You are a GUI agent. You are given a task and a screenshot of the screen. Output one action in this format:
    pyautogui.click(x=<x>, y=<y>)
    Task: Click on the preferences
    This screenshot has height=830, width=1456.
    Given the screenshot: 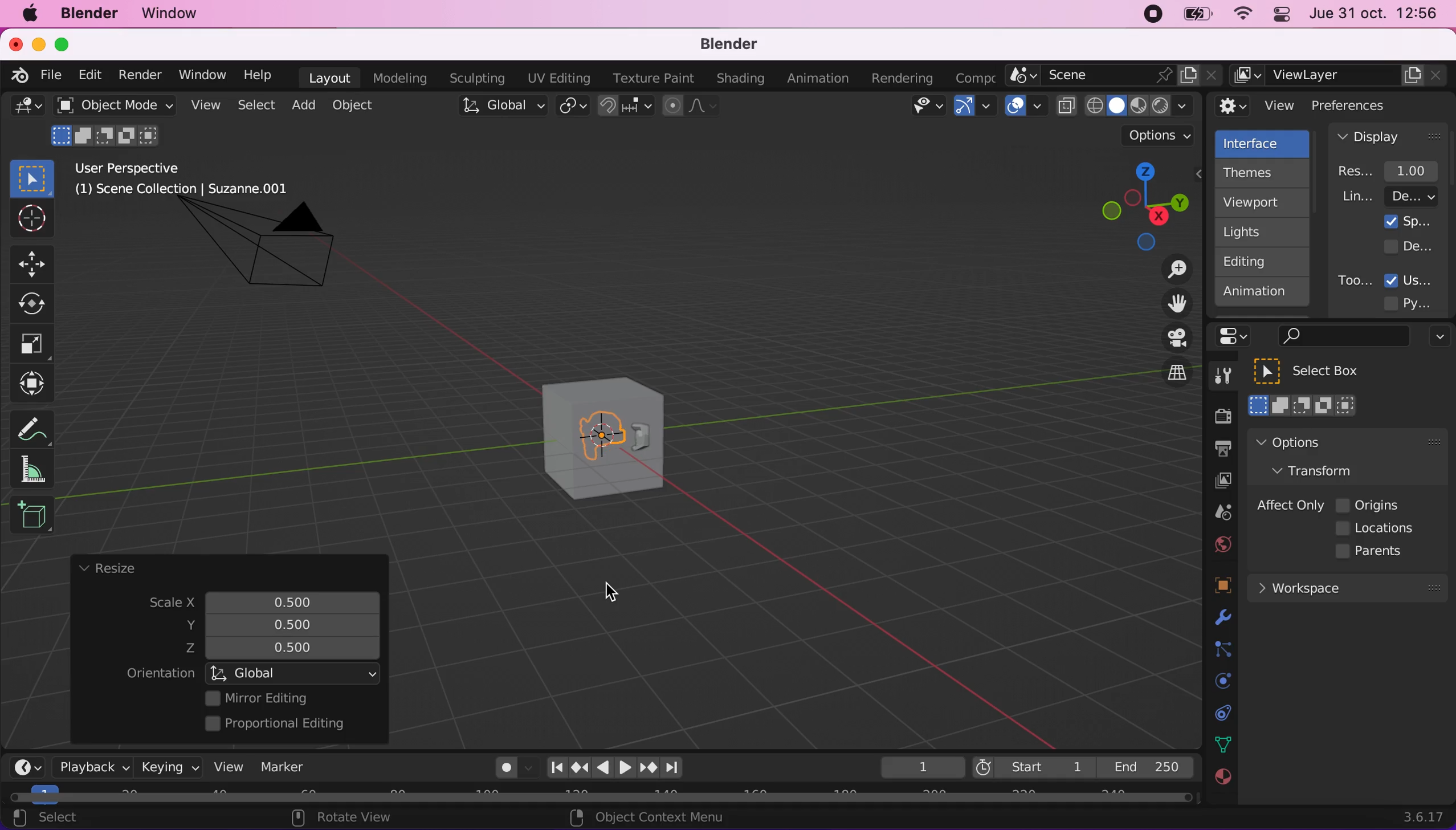 What is the action you would take?
    pyautogui.click(x=1368, y=105)
    